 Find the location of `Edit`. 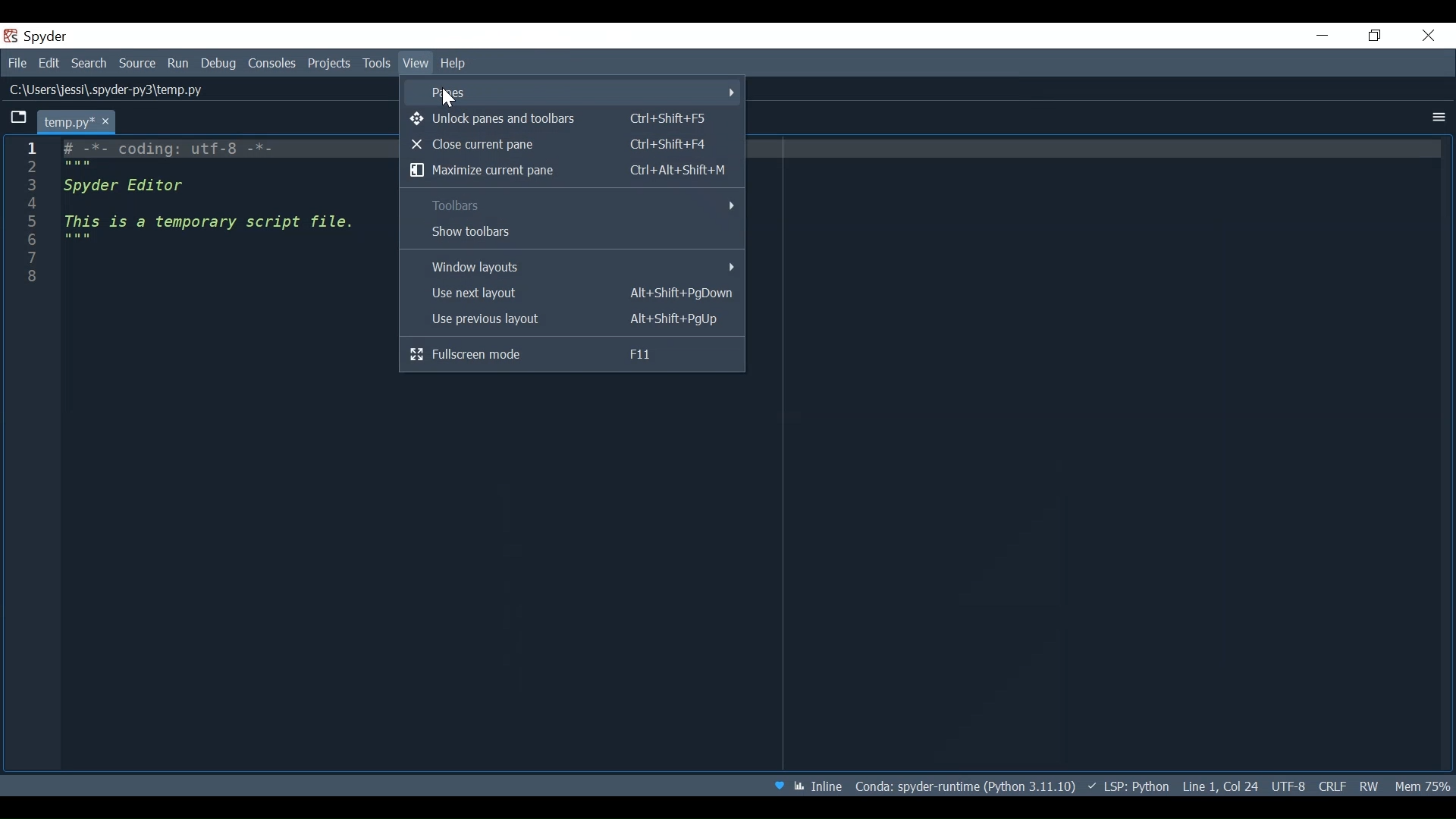

Edit is located at coordinates (49, 61).